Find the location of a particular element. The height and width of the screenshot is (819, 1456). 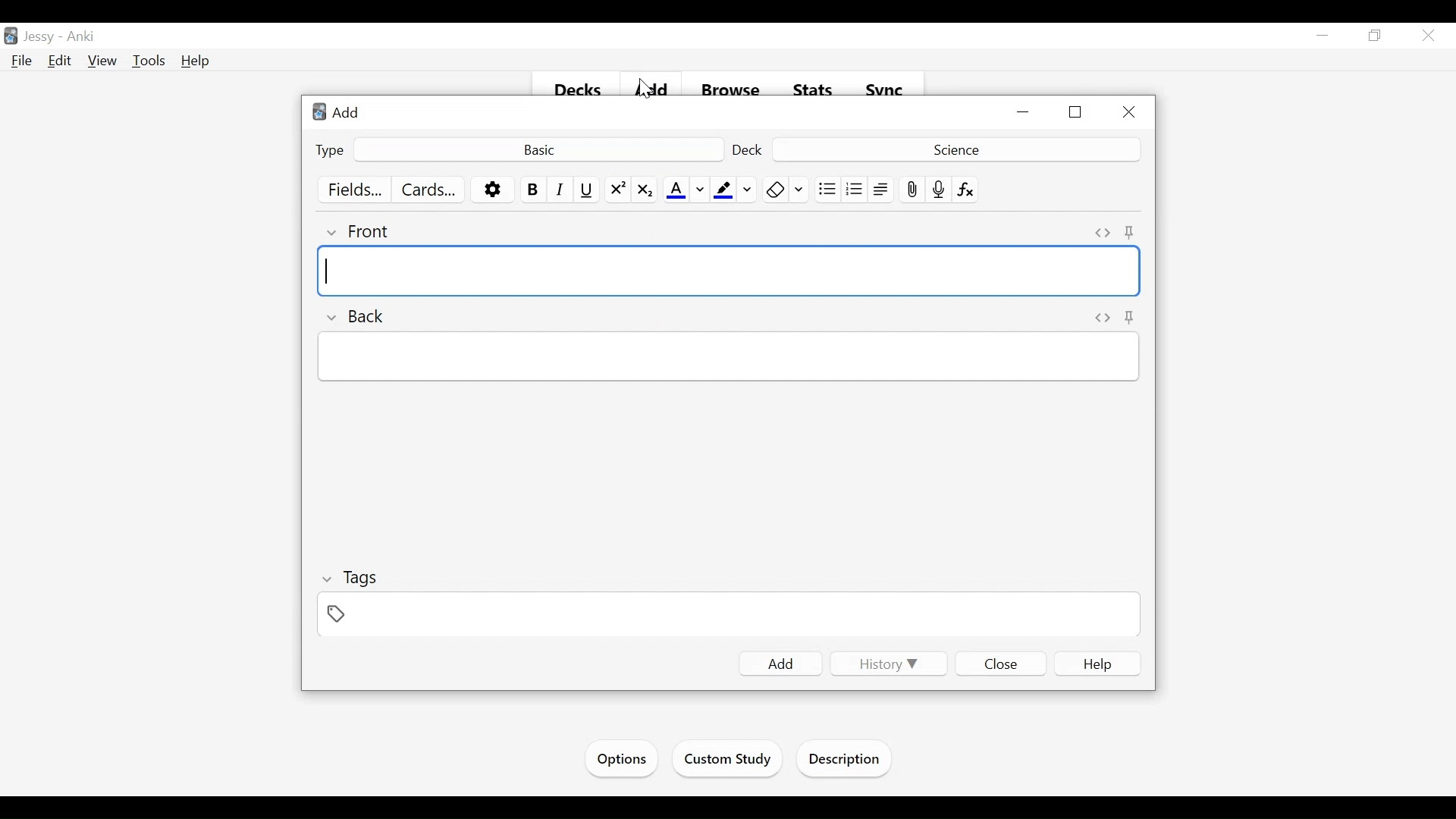

Basic is located at coordinates (538, 149).